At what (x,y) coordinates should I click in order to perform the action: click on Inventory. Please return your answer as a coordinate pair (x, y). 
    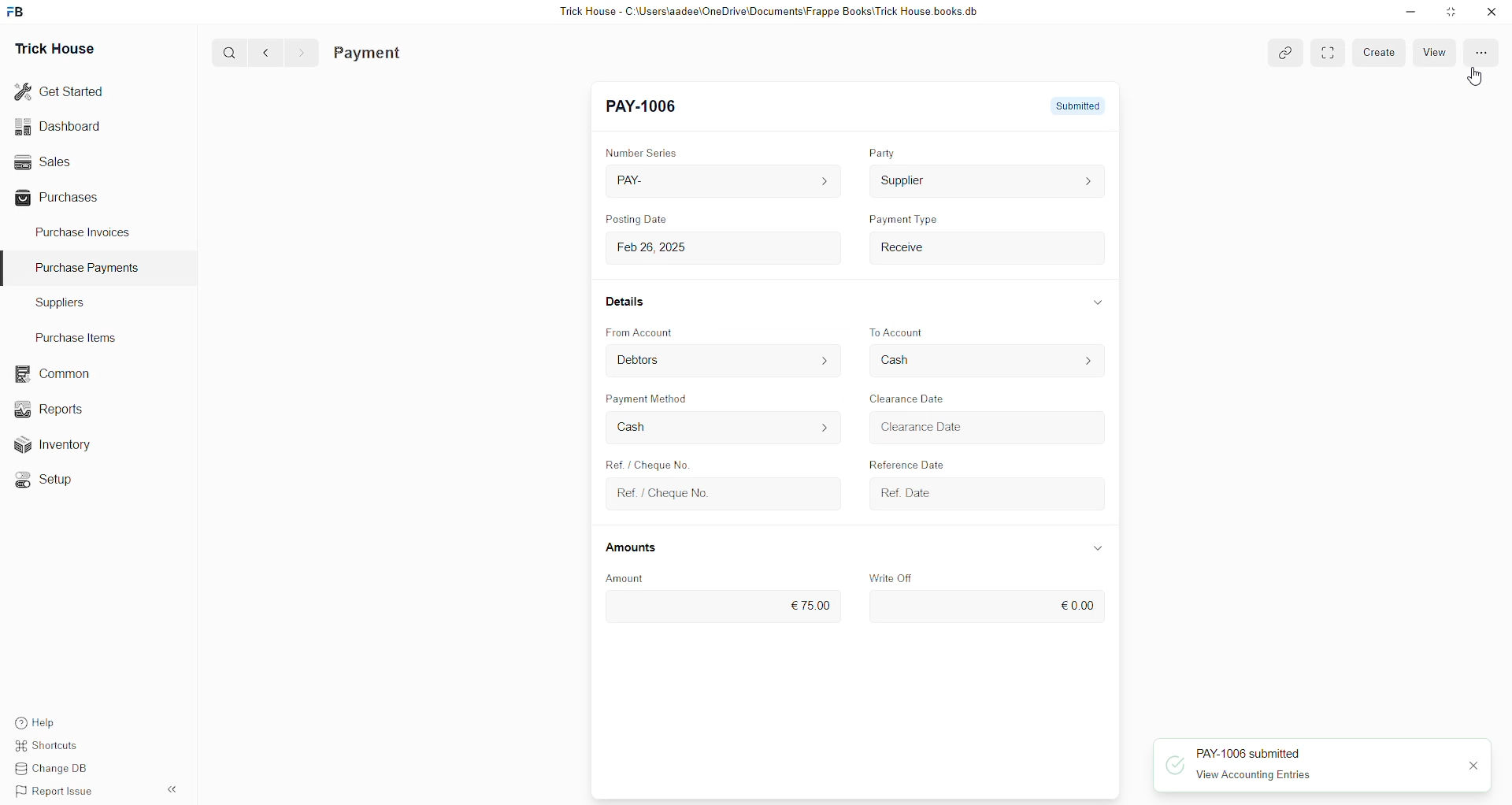
    Looking at the image, I should click on (54, 443).